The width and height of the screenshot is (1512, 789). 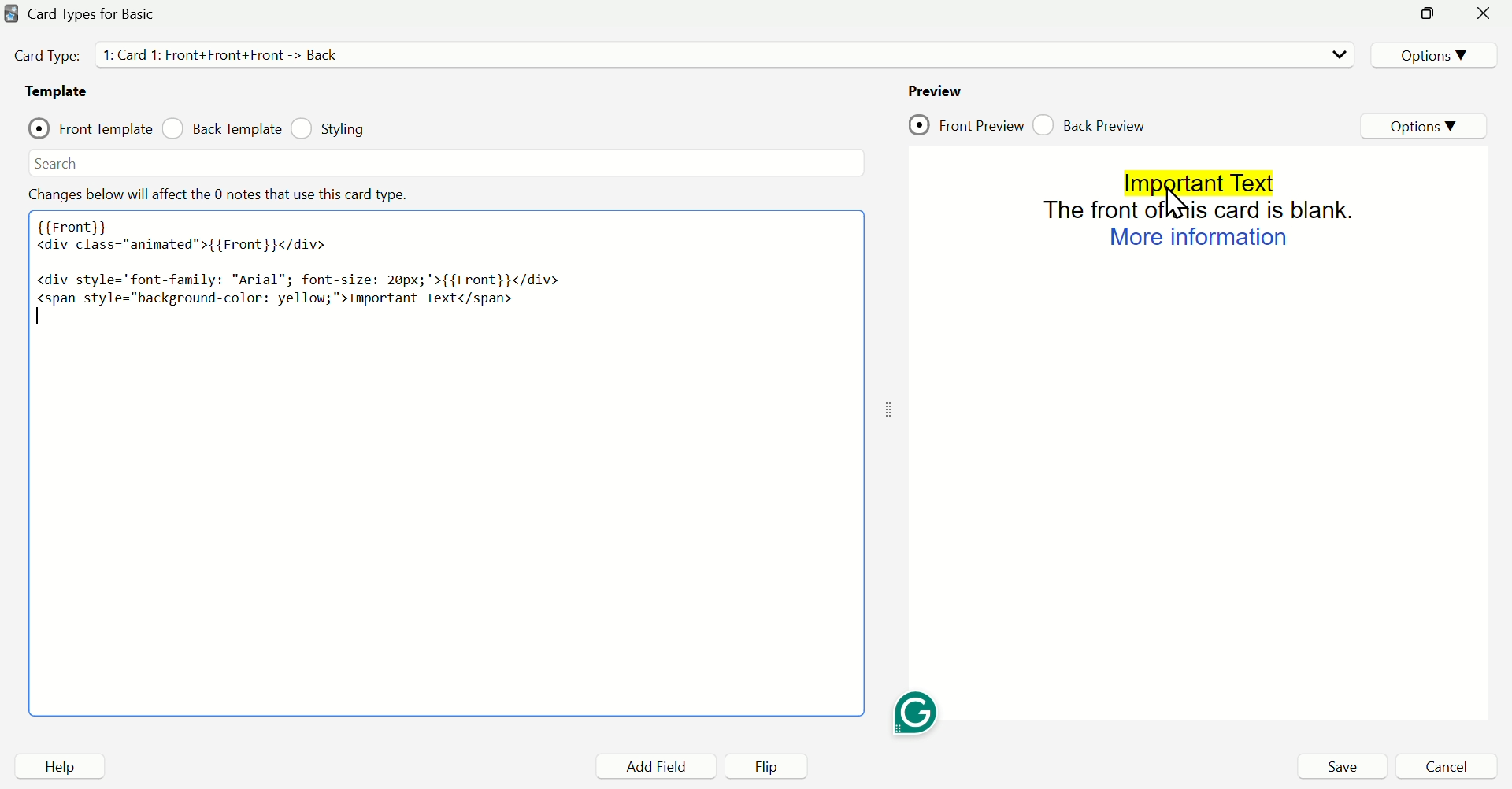 What do you see at coordinates (89, 128) in the screenshot?
I see `check Front Template` at bounding box center [89, 128].